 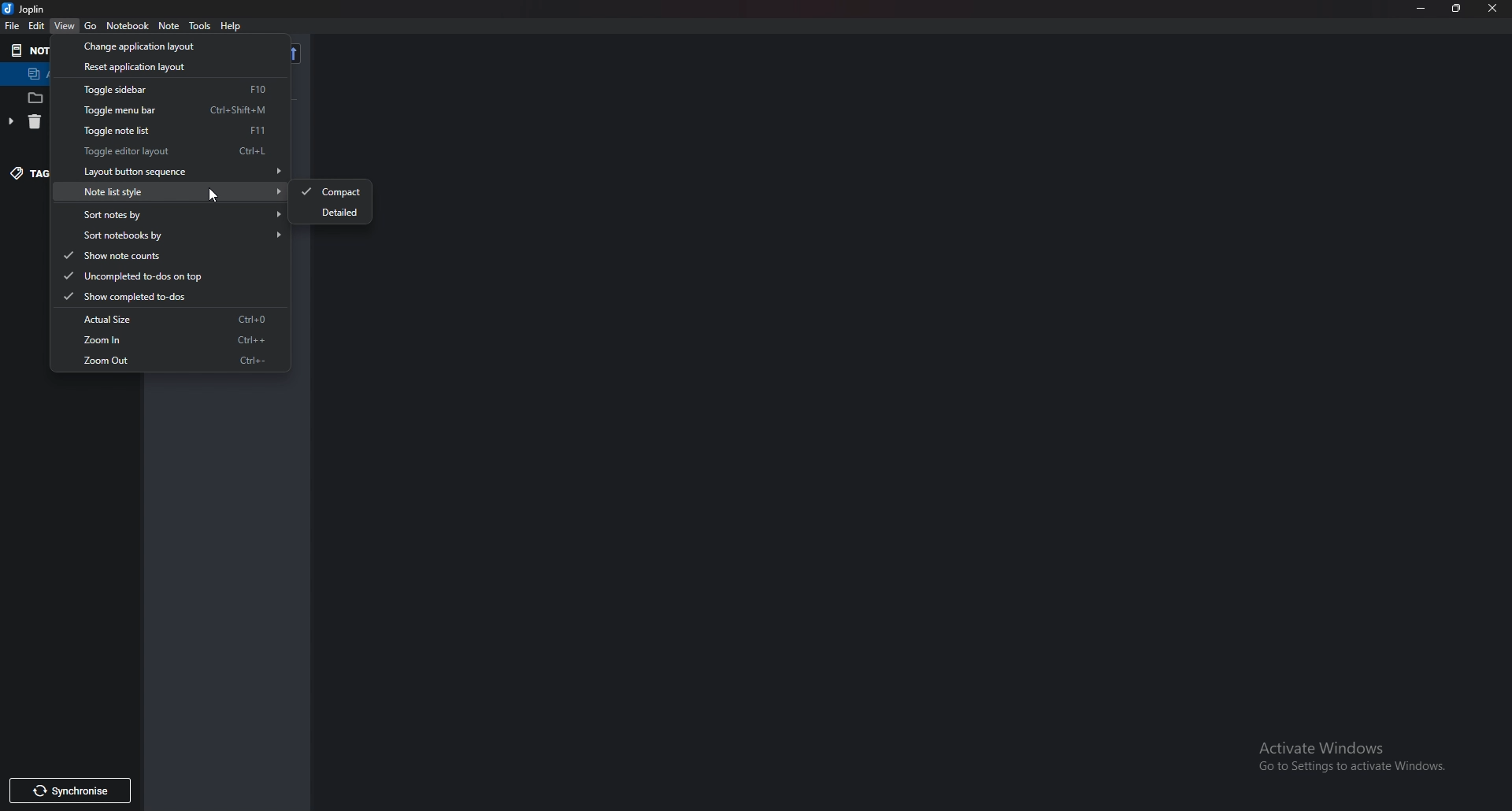 What do you see at coordinates (172, 26) in the screenshot?
I see `note` at bounding box center [172, 26].